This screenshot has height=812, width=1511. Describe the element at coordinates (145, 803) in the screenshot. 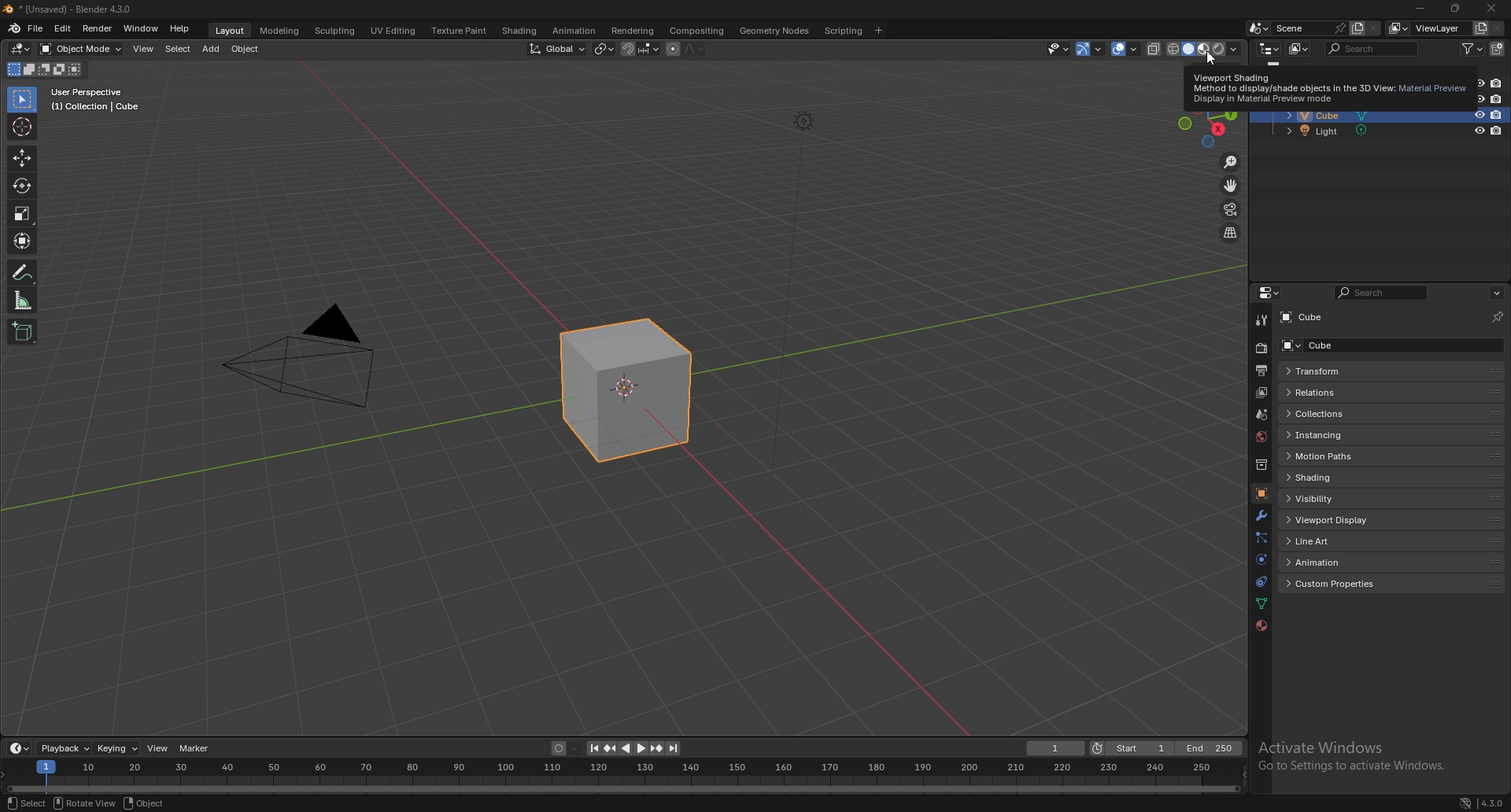

I see `object` at that location.